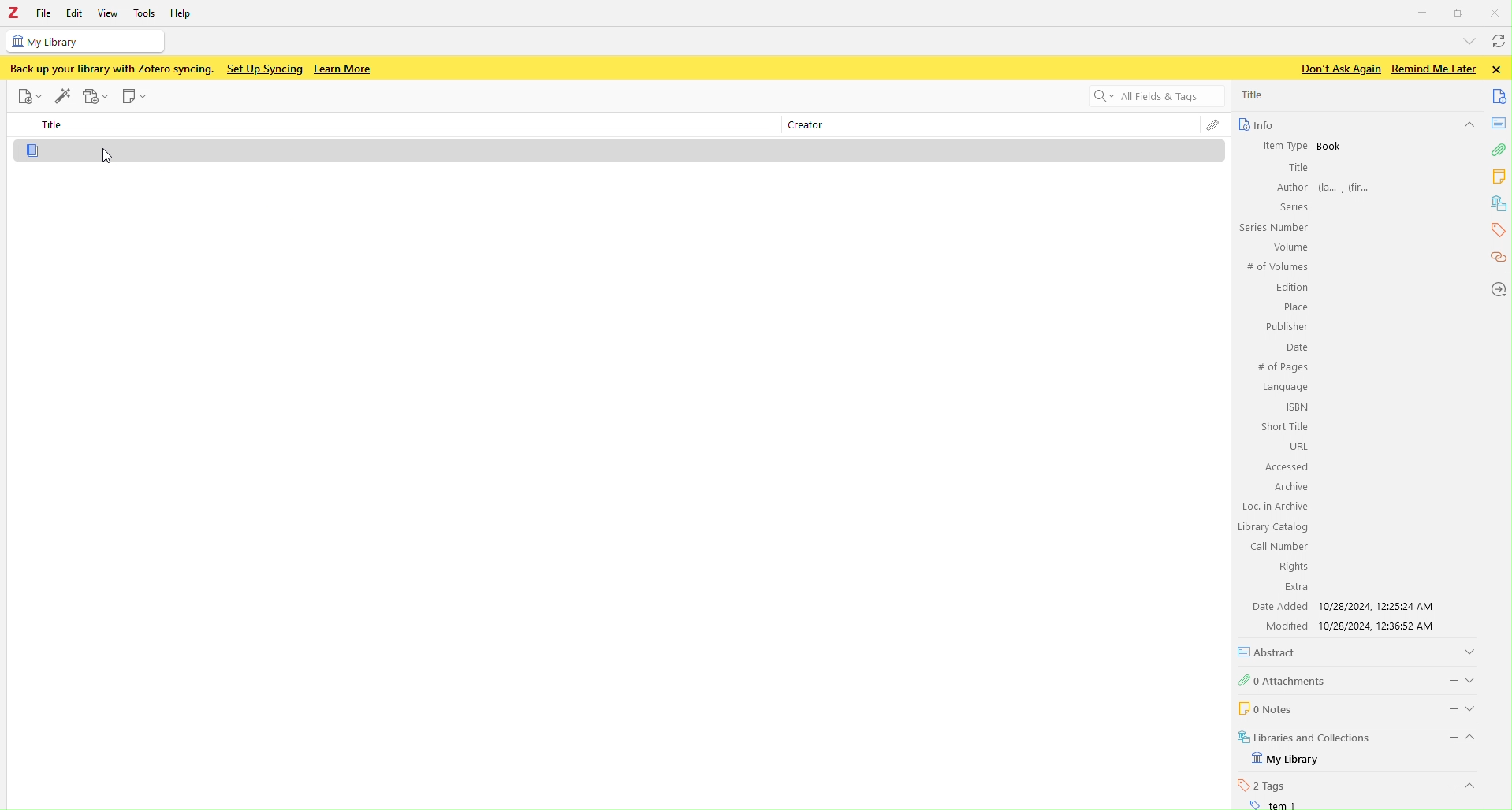  Describe the element at coordinates (1296, 588) in the screenshot. I see `extra` at that location.